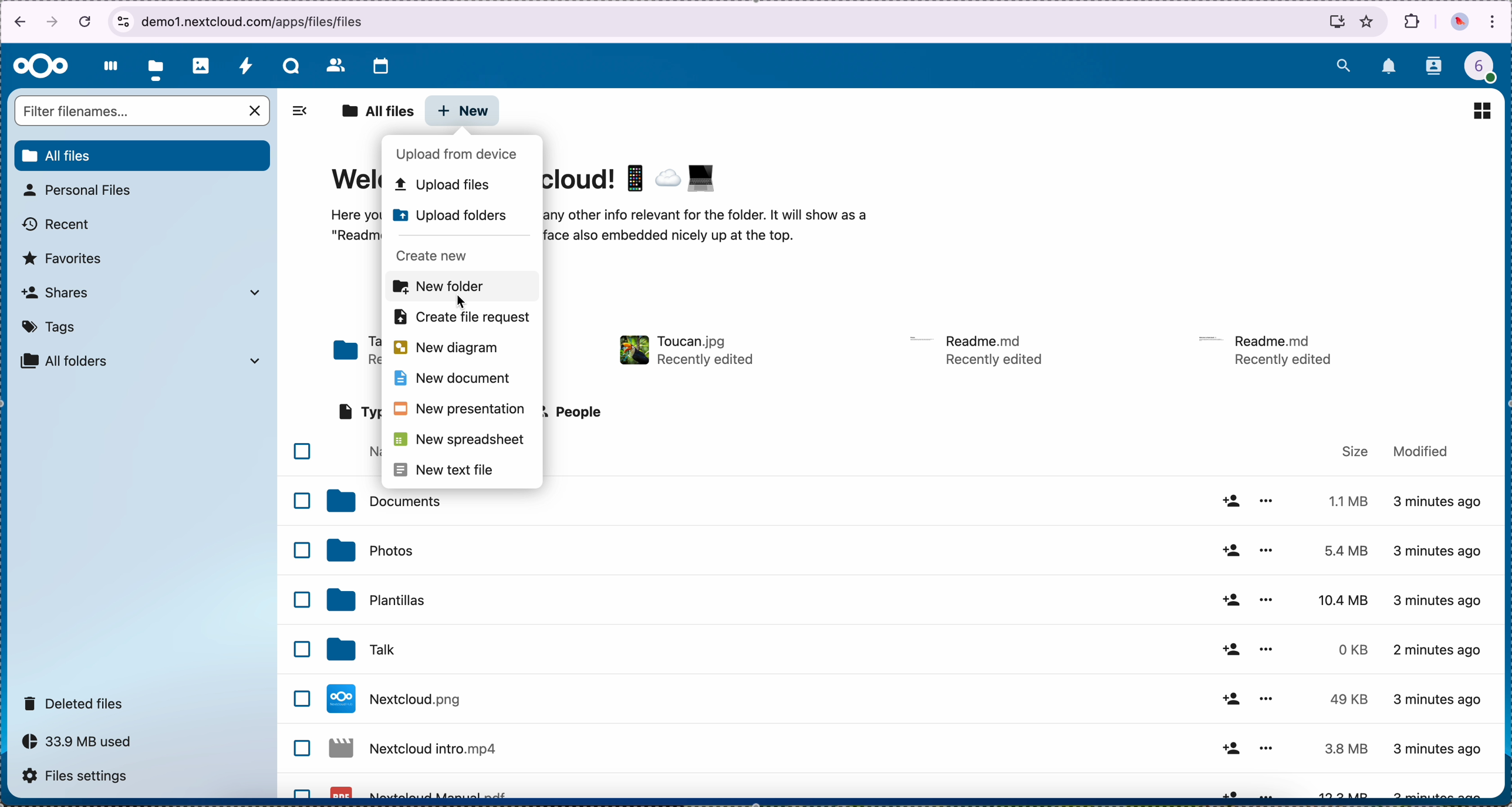 This screenshot has height=807, width=1512. What do you see at coordinates (357, 353) in the screenshot?
I see `talk folder` at bounding box center [357, 353].